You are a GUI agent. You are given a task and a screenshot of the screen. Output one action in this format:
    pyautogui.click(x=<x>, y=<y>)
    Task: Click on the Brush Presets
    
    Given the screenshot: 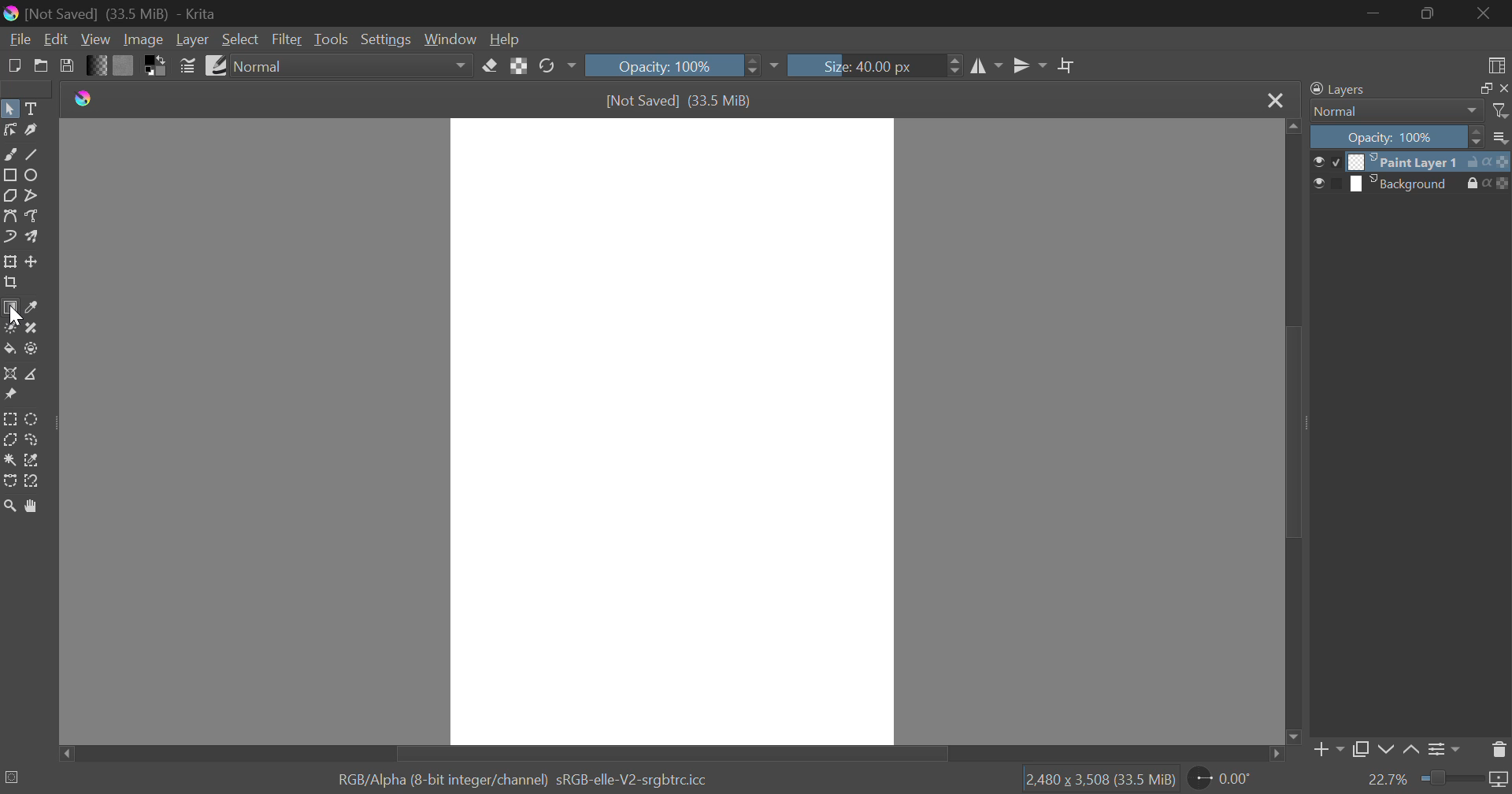 What is the action you would take?
    pyautogui.click(x=214, y=64)
    